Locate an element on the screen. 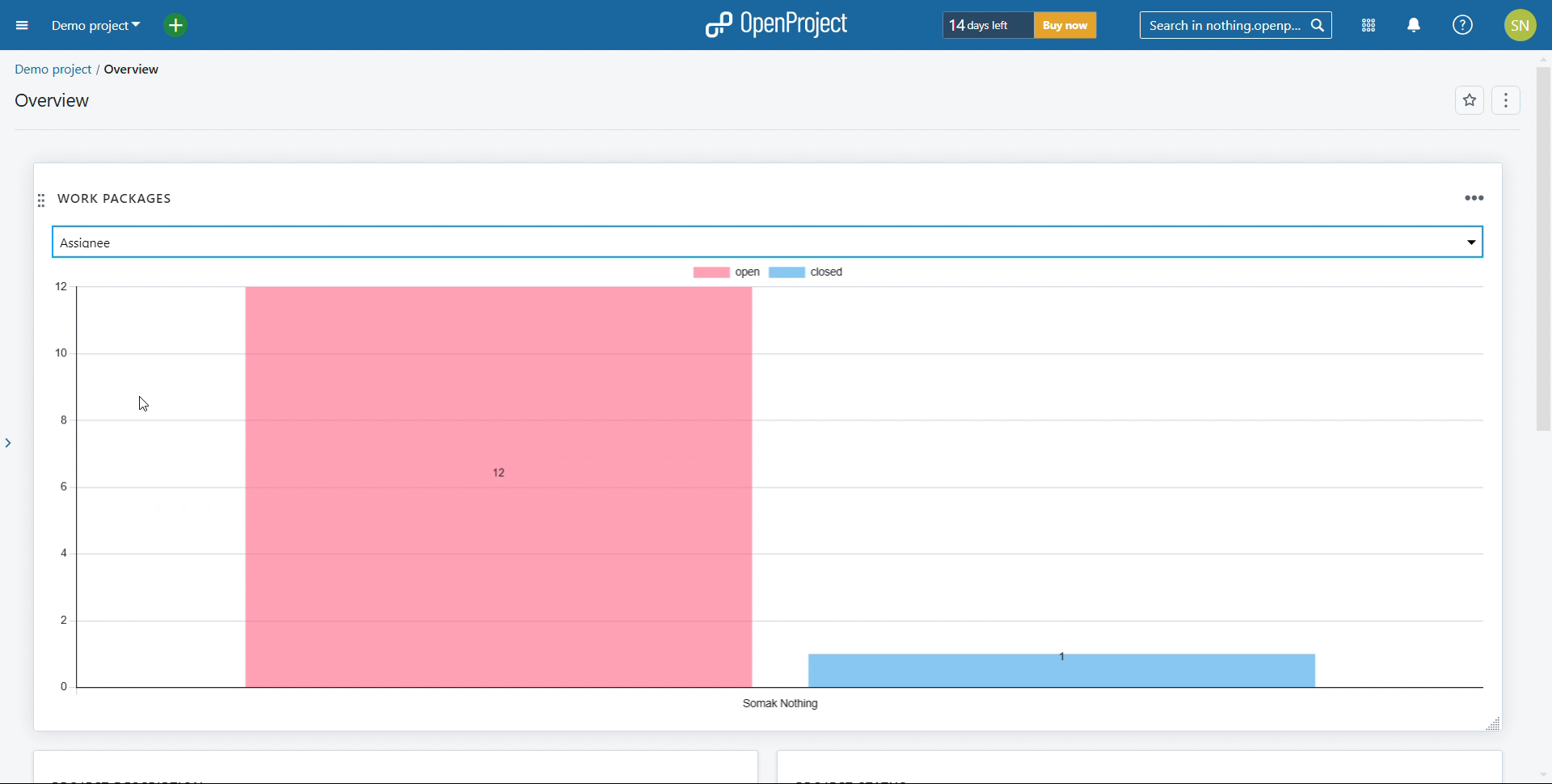  options is located at coordinates (1466, 192).